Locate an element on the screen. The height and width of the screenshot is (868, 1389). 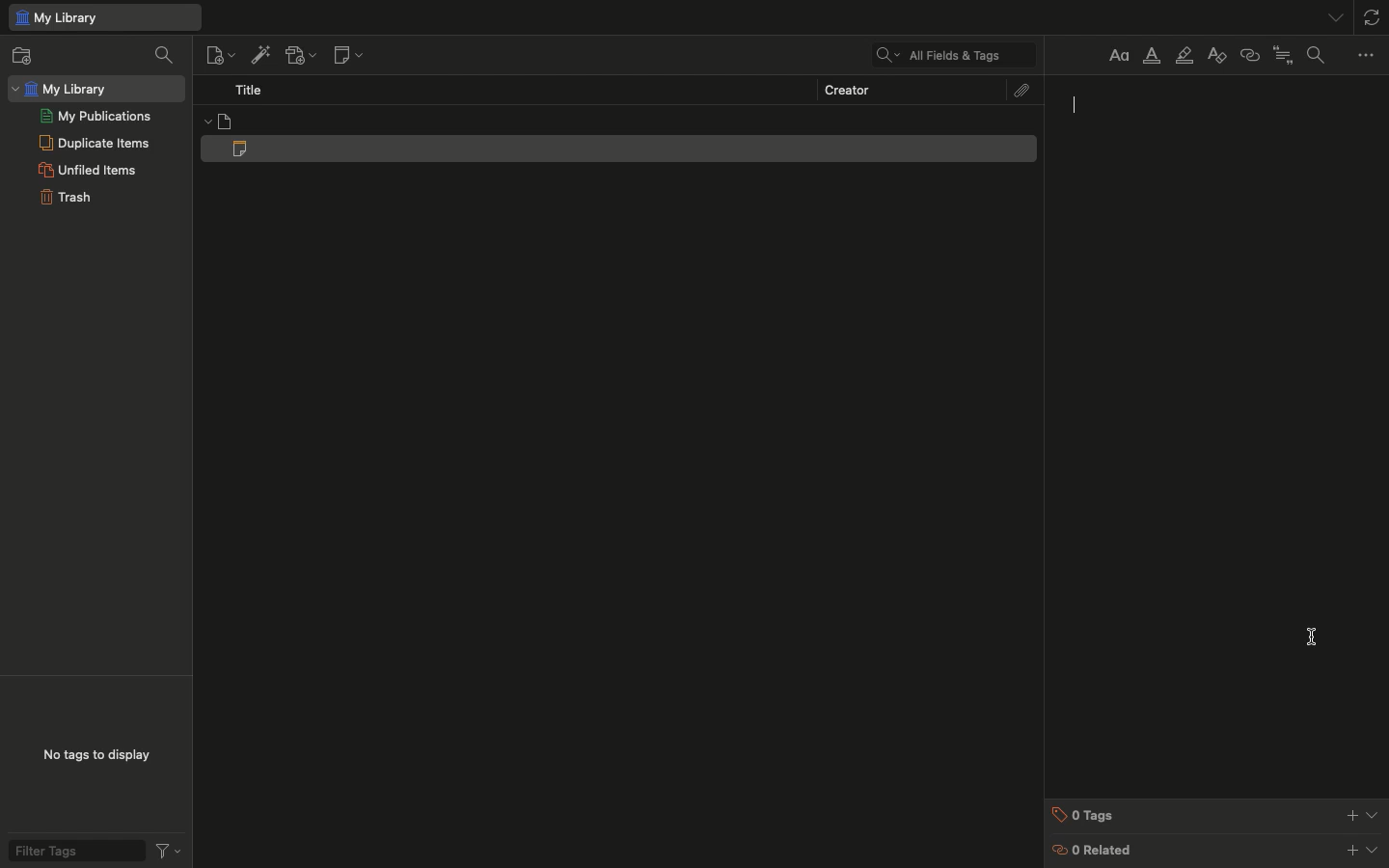
No tags to display is located at coordinates (96, 756).